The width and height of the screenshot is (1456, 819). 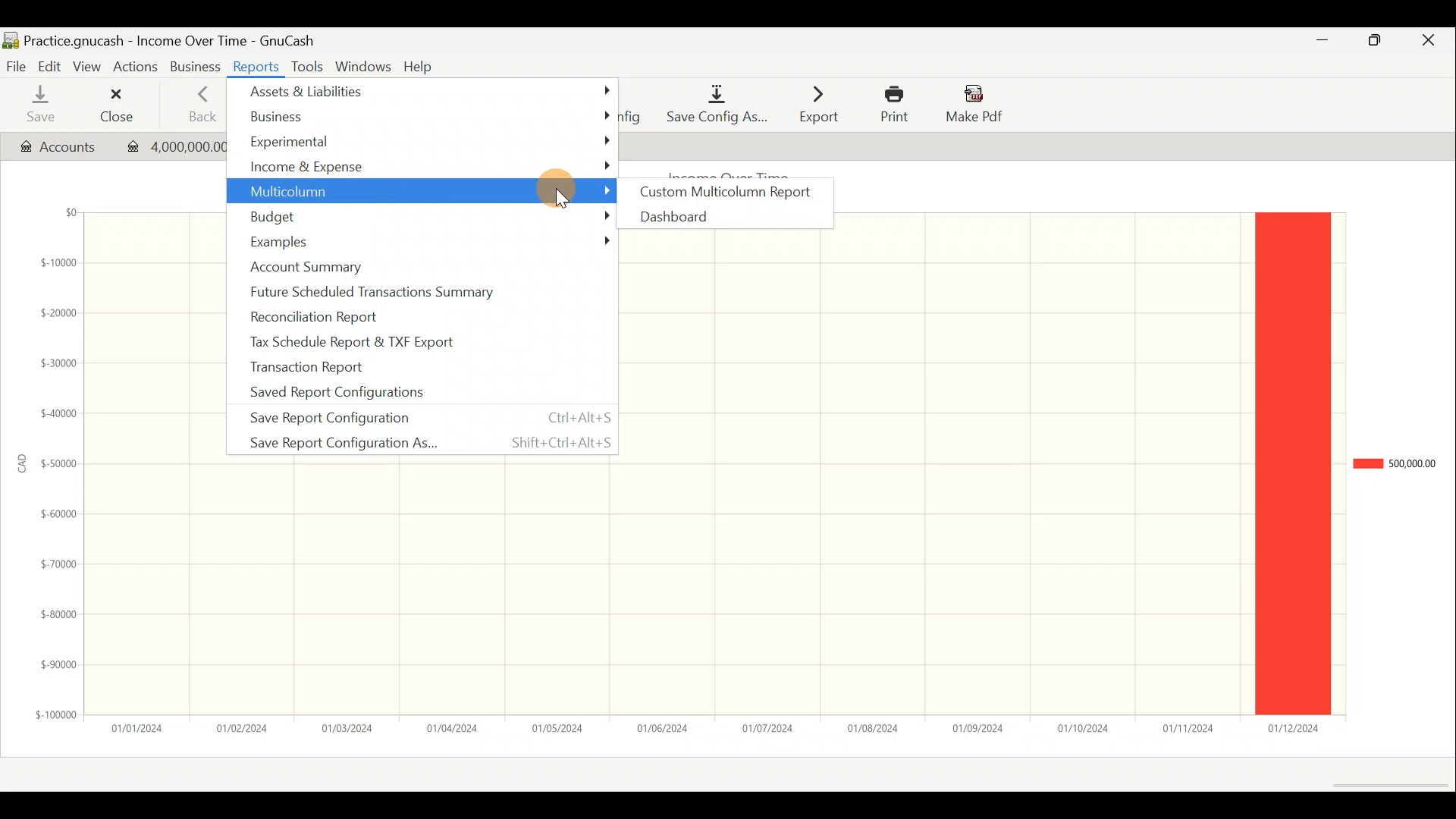 I want to click on Account, so click(x=57, y=147).